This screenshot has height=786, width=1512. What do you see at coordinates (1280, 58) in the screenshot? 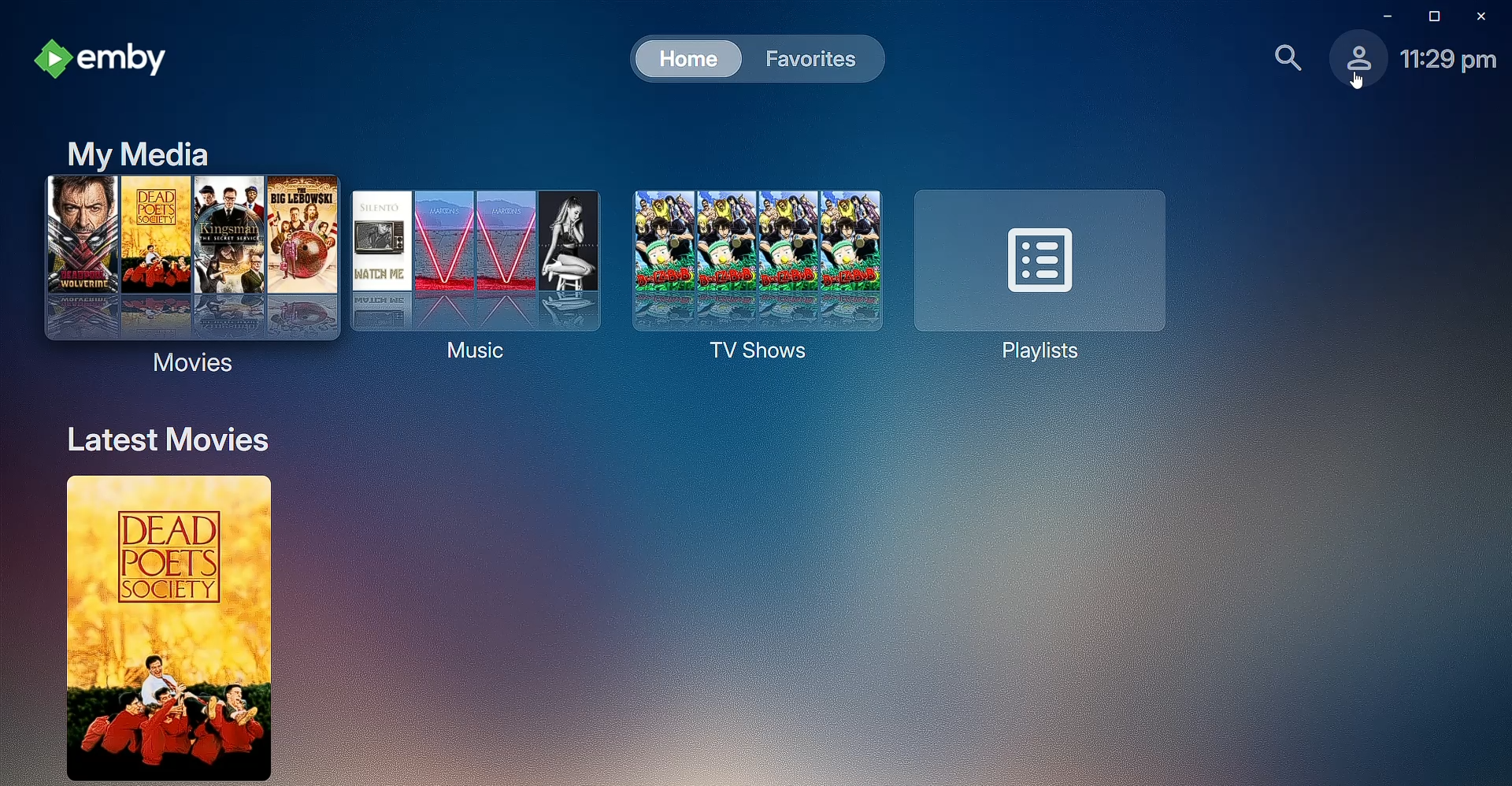
I see `Find` at bounding box center [1280, 58].